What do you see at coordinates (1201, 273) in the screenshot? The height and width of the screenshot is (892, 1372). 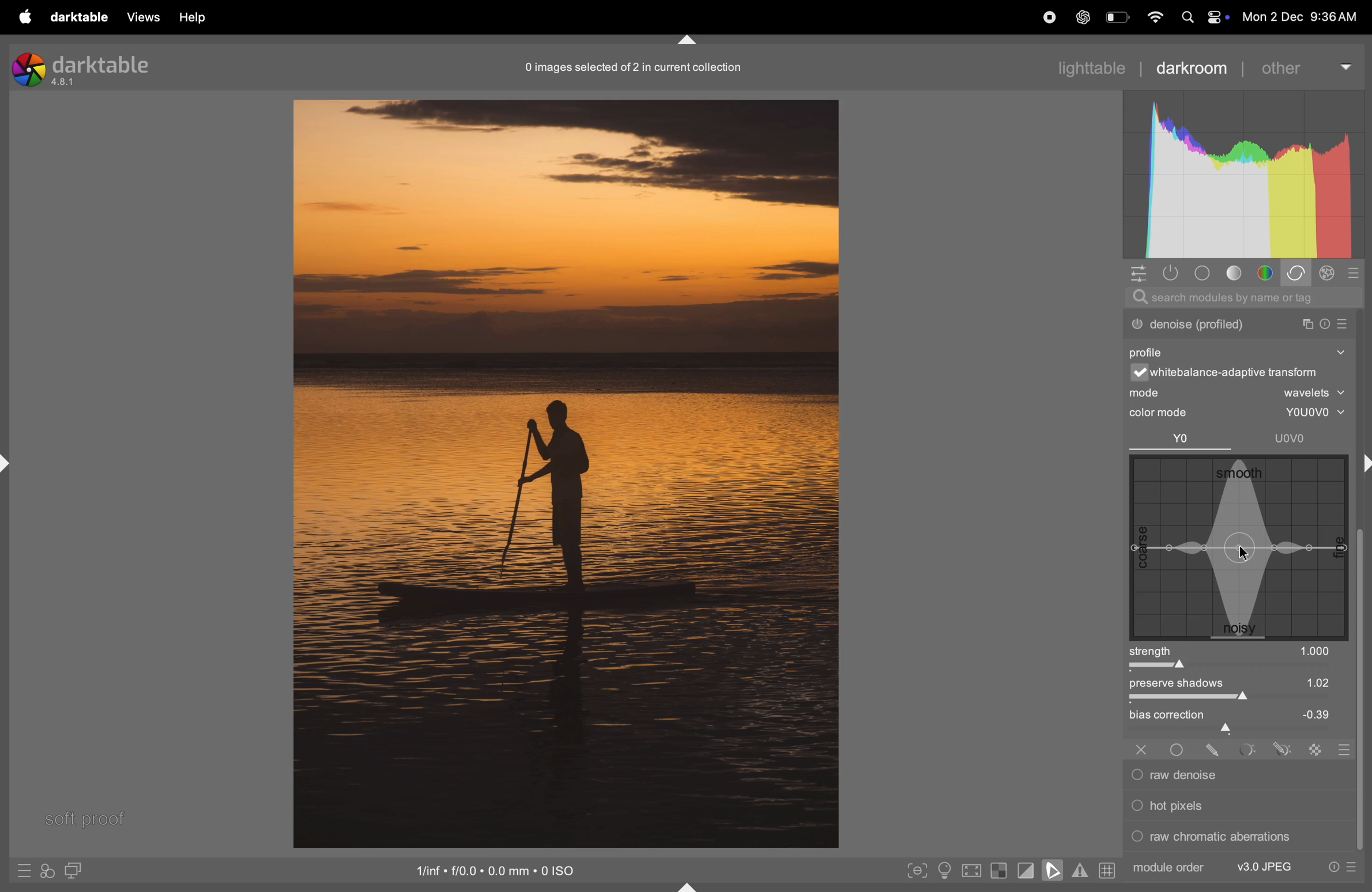 I see `base` at bounding box center [1201, 273].